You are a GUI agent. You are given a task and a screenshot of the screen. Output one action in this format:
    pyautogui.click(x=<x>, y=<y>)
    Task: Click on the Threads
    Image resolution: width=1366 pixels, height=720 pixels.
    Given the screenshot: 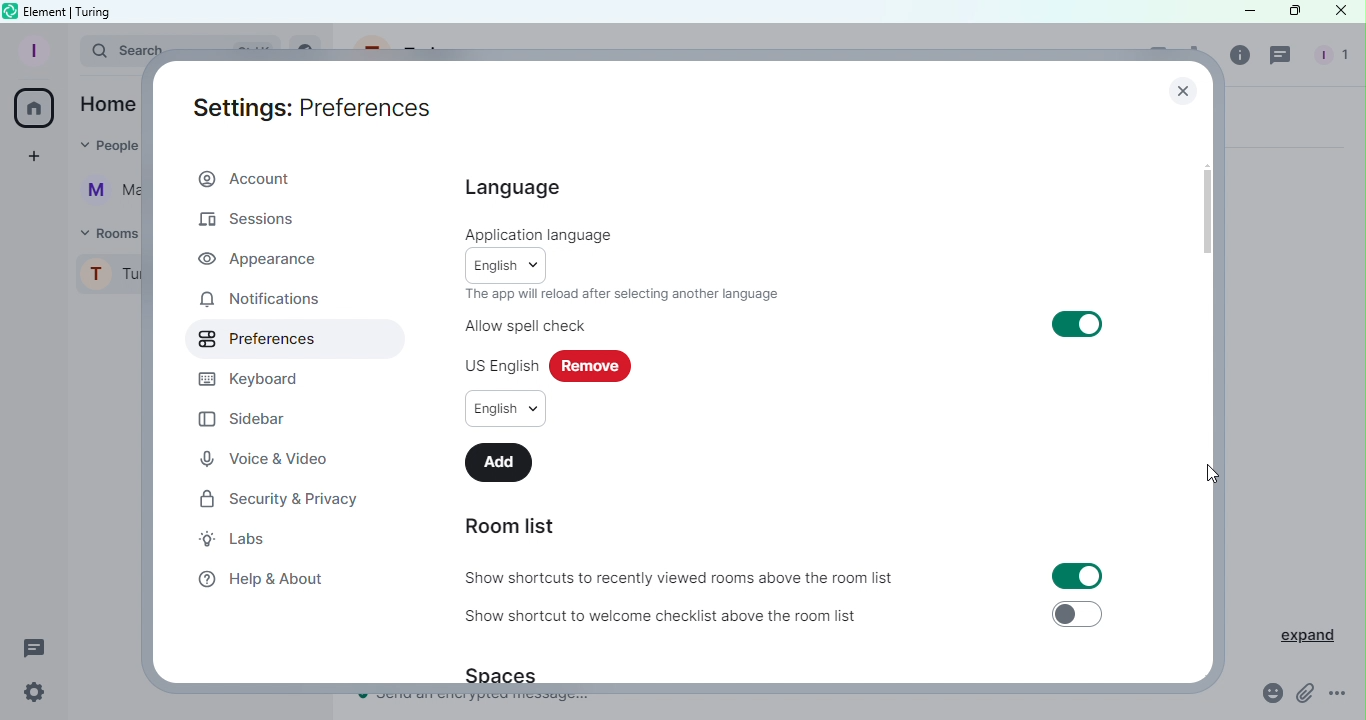 What is the action you would take?
    pyautogui.click(x=1283, y=58)
    